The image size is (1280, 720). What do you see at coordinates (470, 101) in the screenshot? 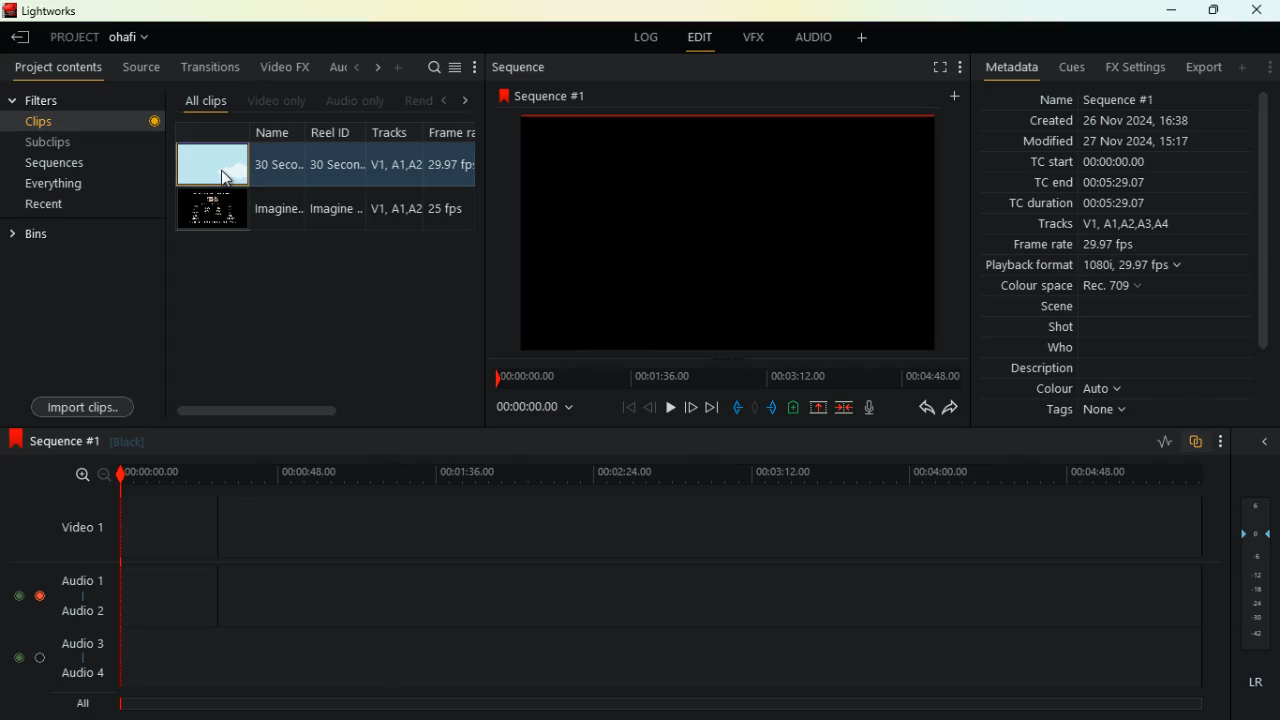
I see `right` at bounding box center [470, 101].